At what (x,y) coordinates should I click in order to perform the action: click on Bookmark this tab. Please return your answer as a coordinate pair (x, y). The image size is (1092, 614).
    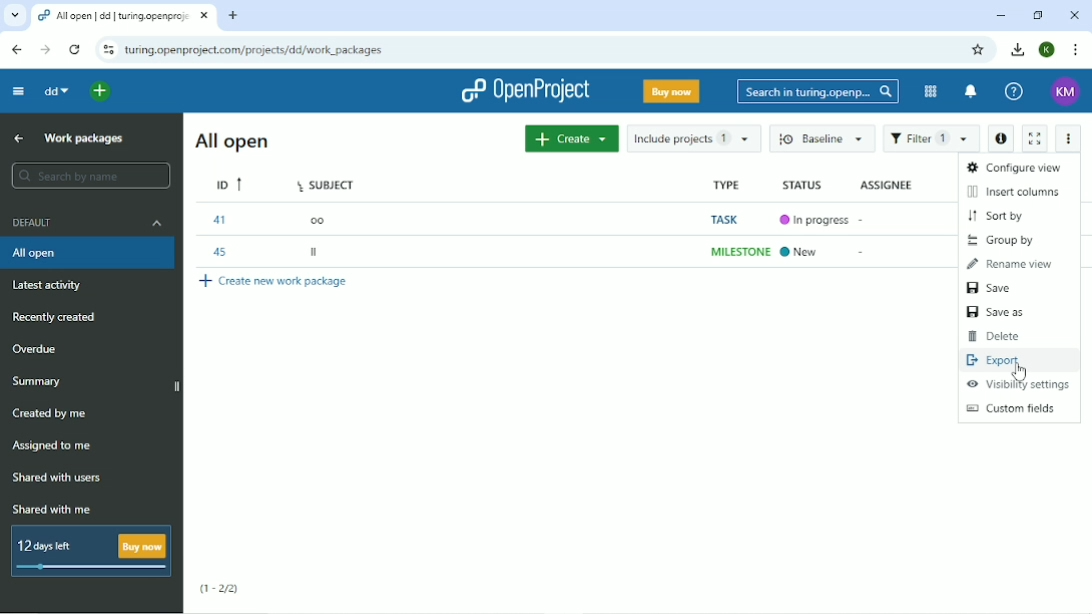
    Looking at the image, I should click on (981, 49).